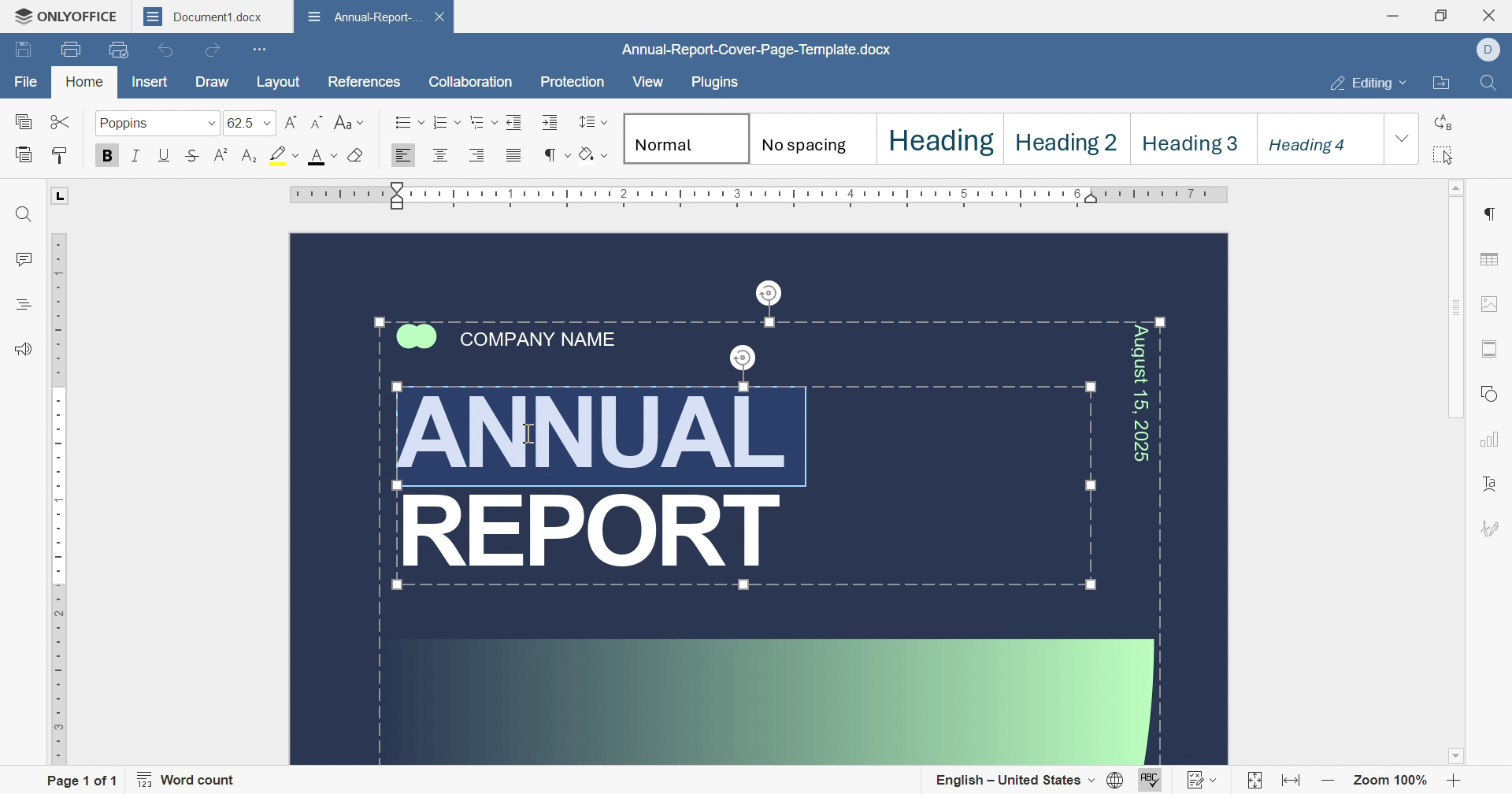 This screenshot has width=1512, height=794. Describe the element at coordinates (28, 85) in the screenshot. I see `file` at that location.